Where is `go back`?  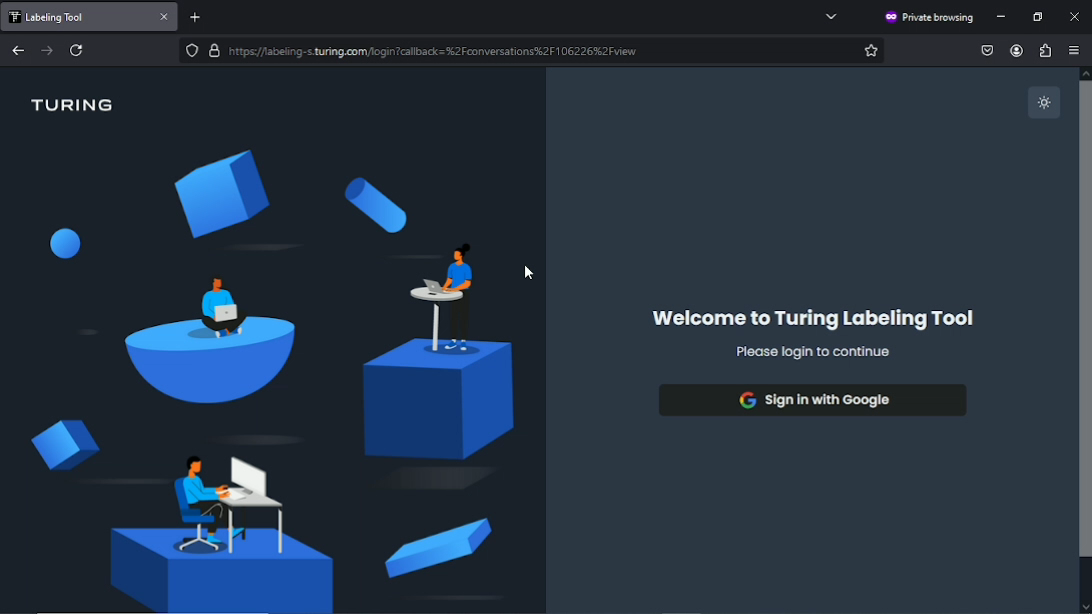 go back is located at coordinates (19, 49).